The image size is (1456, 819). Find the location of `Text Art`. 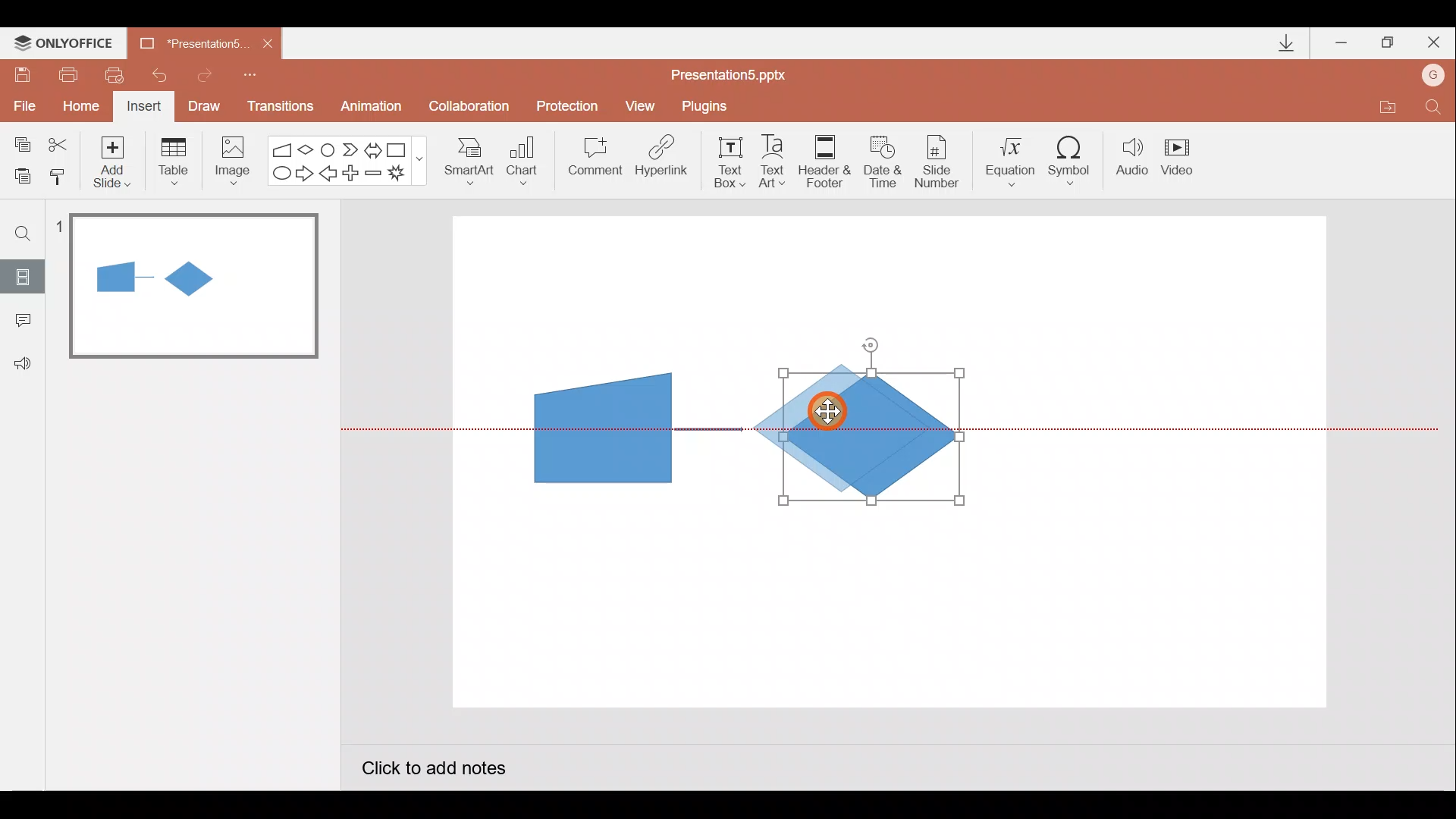

Text Art is located at coordinates (777, 161).